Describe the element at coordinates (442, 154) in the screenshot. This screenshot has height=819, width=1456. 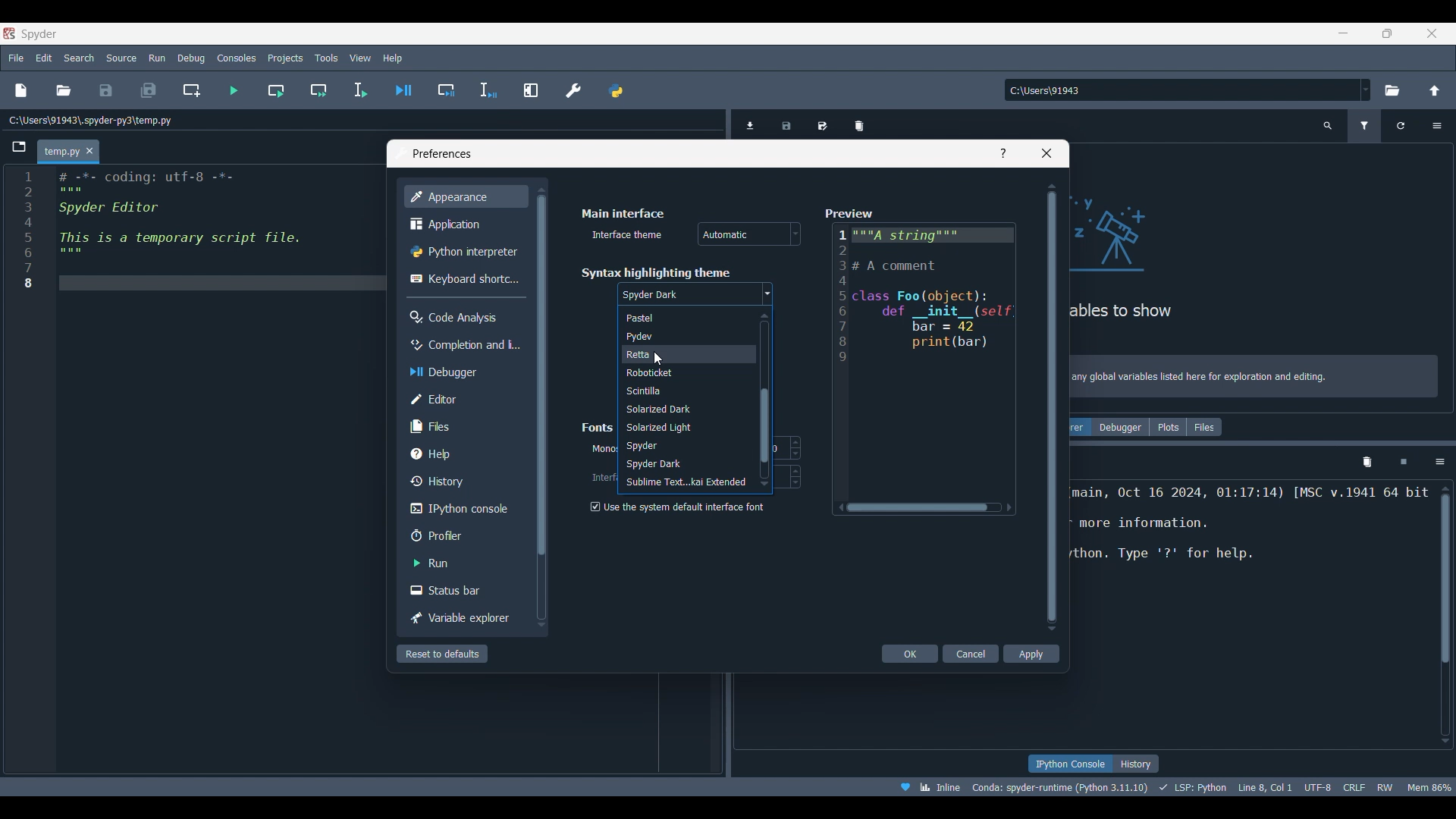
I see `Window title` at that location.